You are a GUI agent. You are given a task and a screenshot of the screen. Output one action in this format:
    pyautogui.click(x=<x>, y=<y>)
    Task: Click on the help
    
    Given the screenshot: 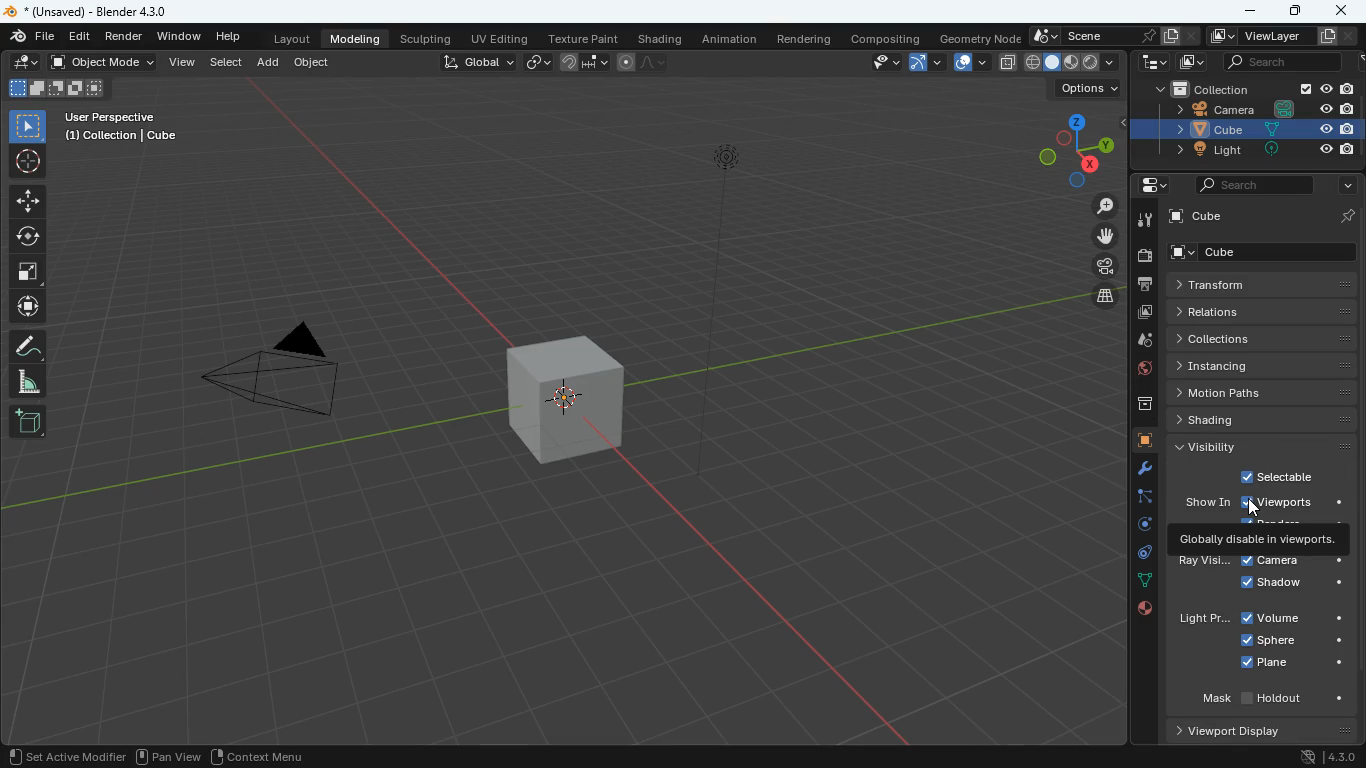 What is the action you would take?
    pyautogui.click(x=227, y=37)
    